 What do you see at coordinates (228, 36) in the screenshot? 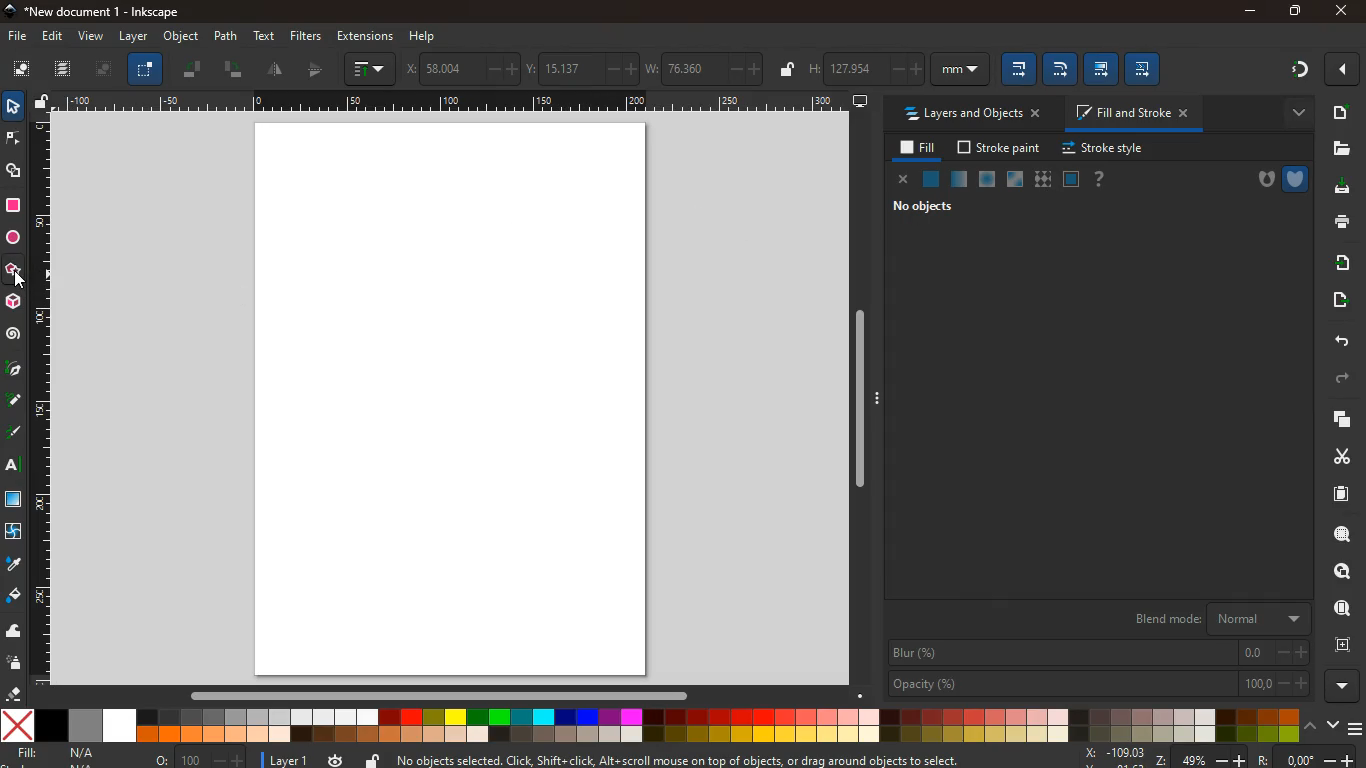
I see `path` at bounding box center [228, 36].